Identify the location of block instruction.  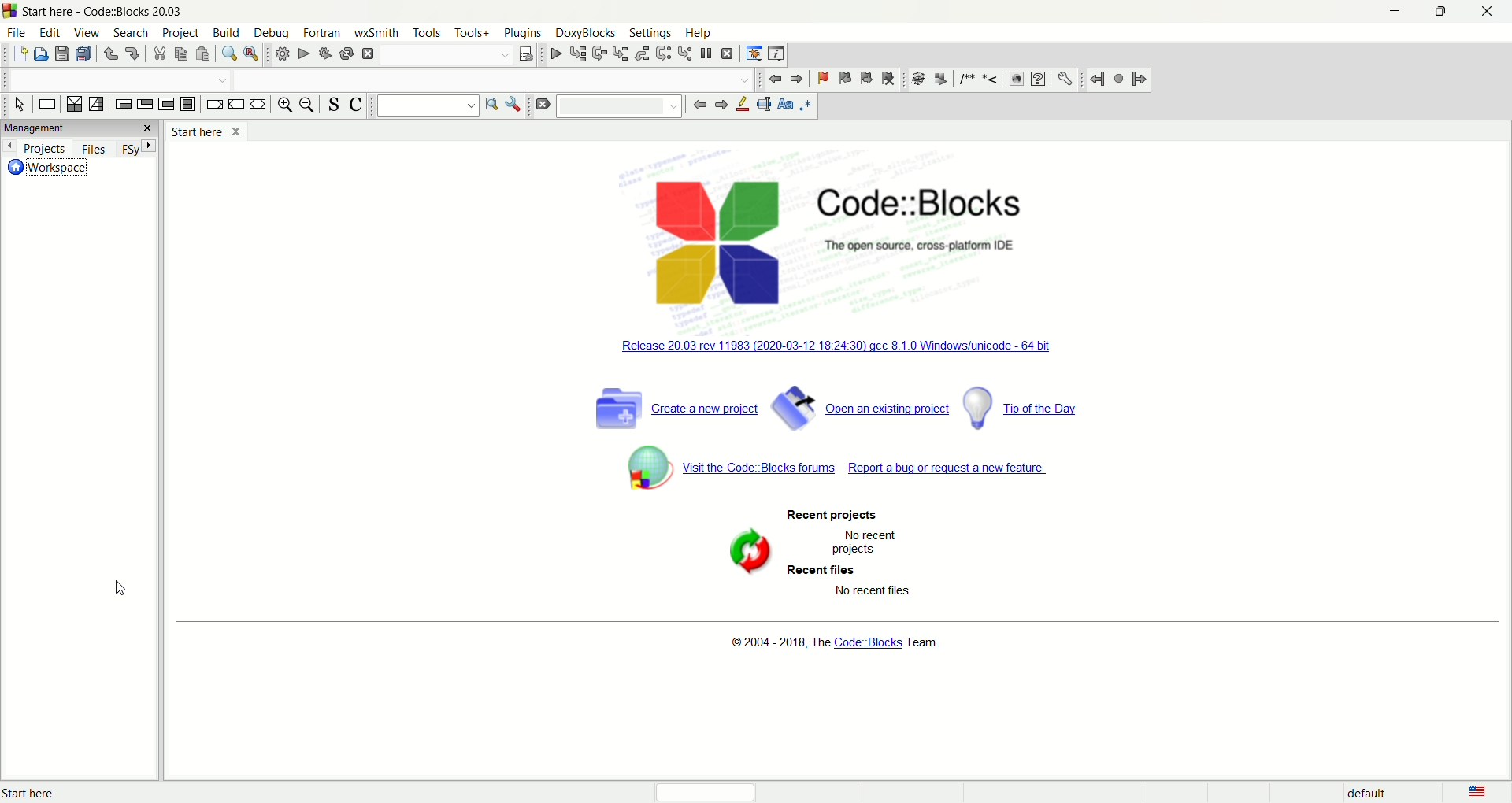
(190, 104).